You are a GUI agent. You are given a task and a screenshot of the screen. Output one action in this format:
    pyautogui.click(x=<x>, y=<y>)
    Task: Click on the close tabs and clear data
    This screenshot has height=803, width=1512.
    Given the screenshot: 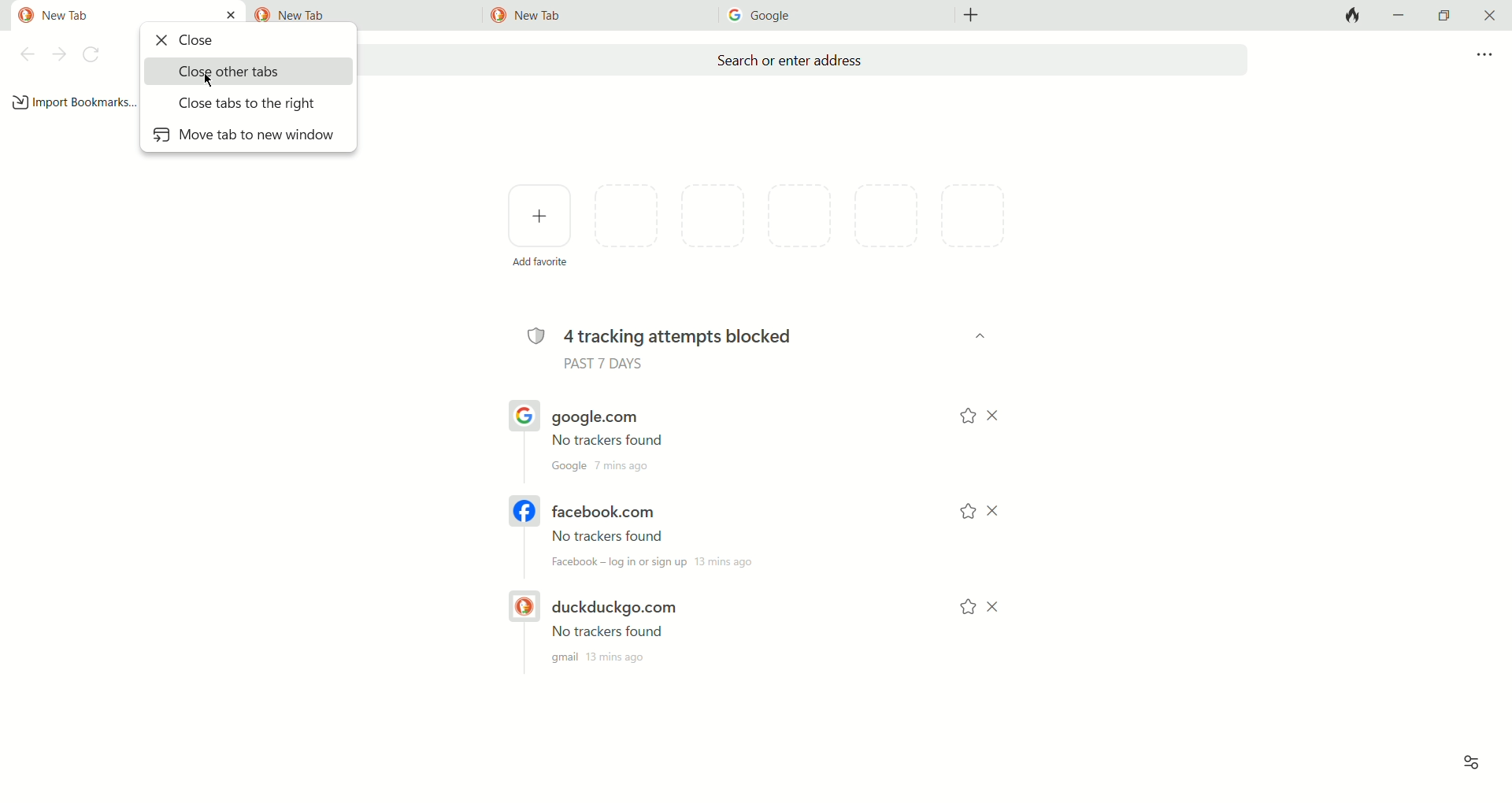 What is the action you would take?
    pyautogui.click(x=1353, y=16)
    